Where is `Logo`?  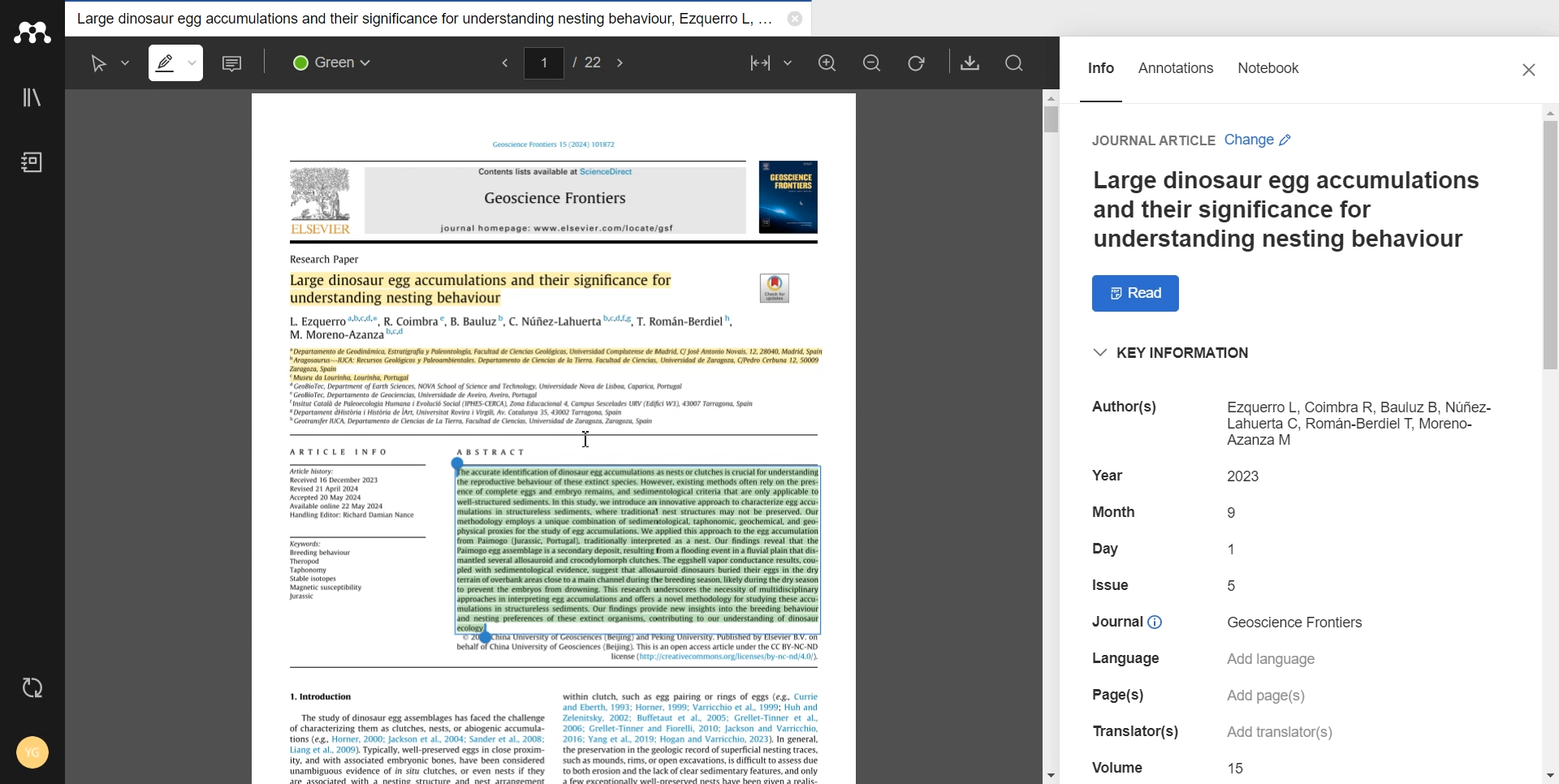 Logo is located at coordinates (32, 32).